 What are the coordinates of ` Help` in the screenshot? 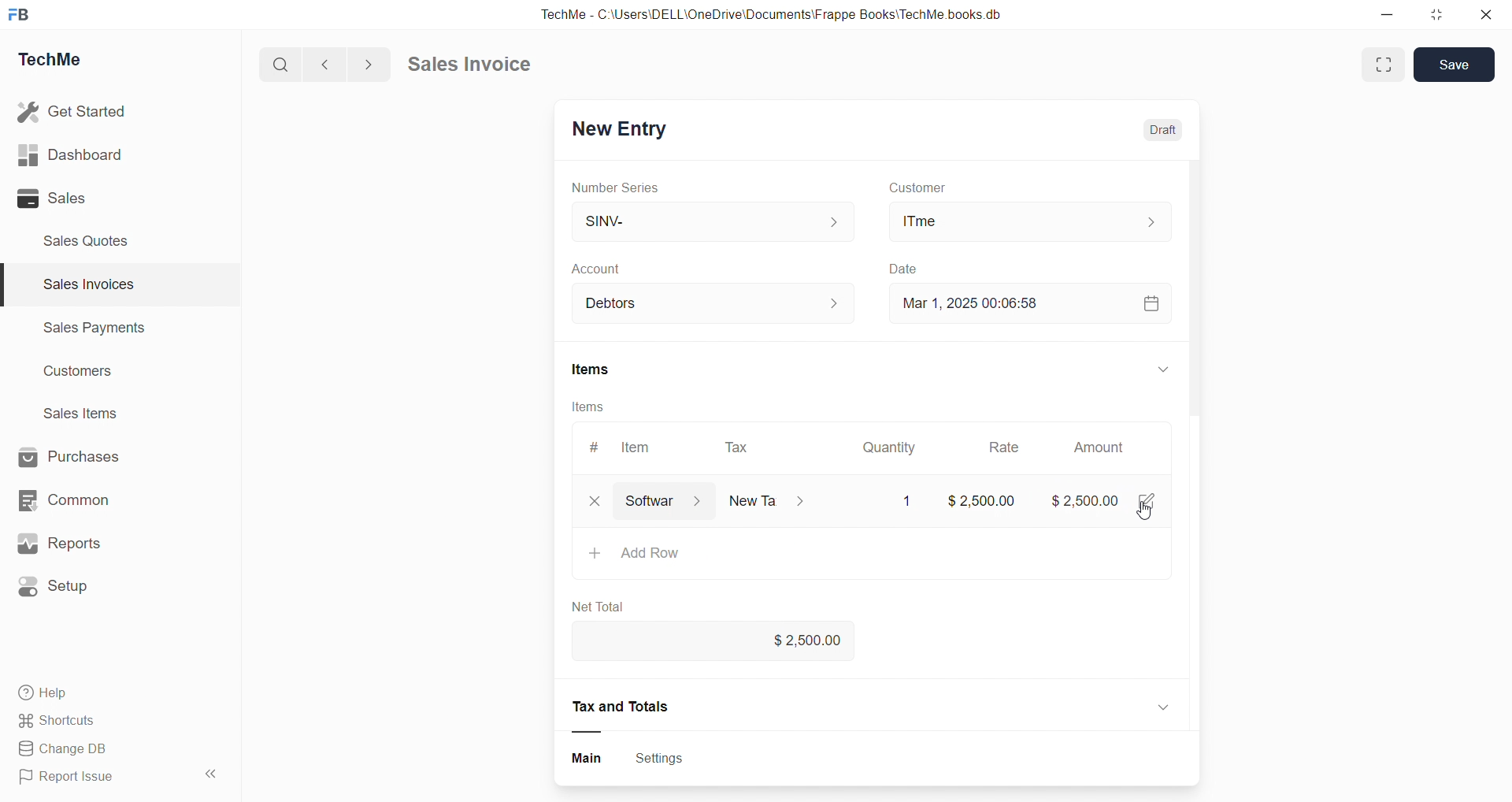 It's located at (51, 695).